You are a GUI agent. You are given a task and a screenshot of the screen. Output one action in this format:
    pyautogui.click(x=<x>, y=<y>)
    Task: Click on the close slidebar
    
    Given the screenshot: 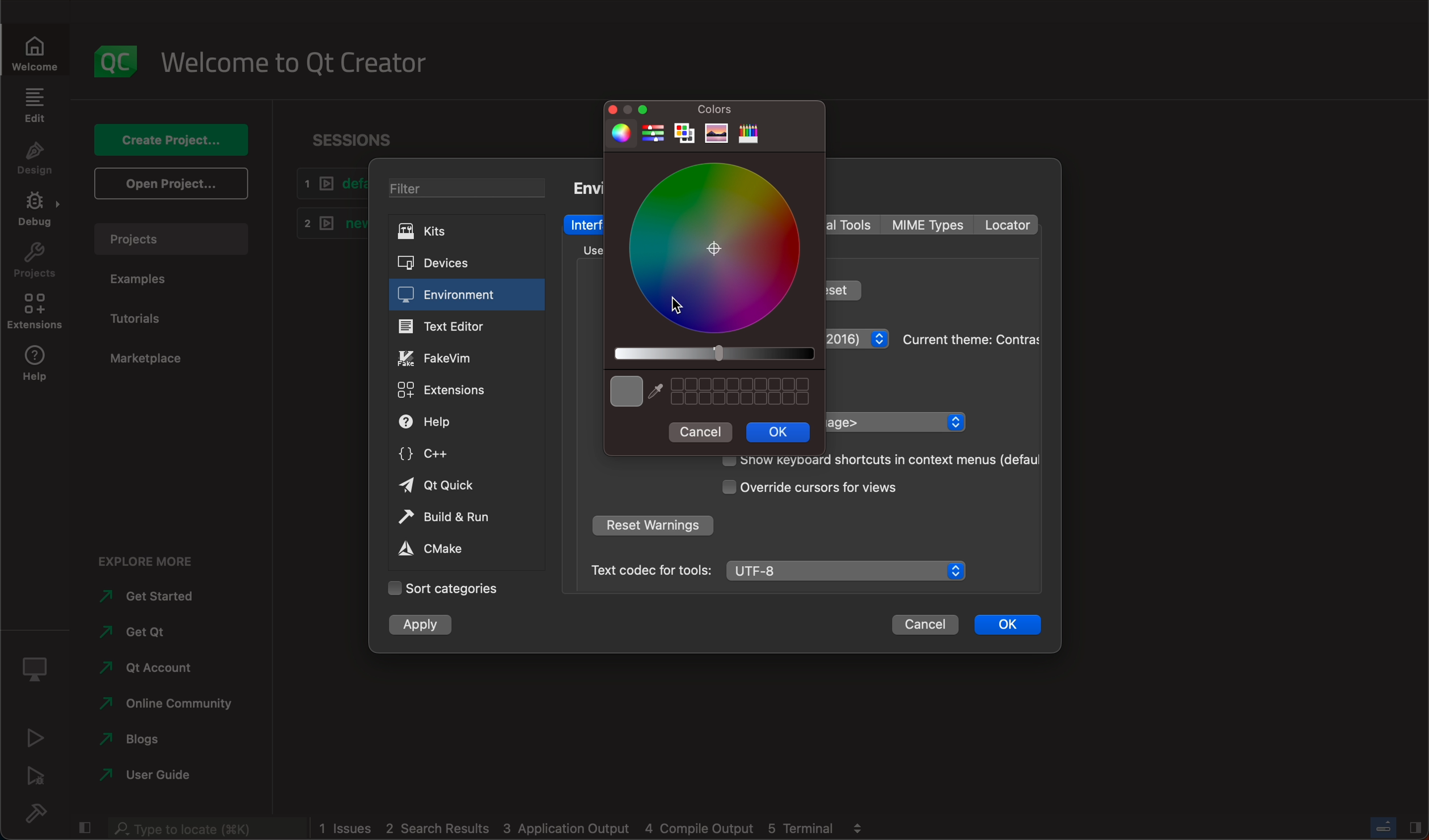 What is the action you would take?
    pyautogui.click(x=86, y=826)
    